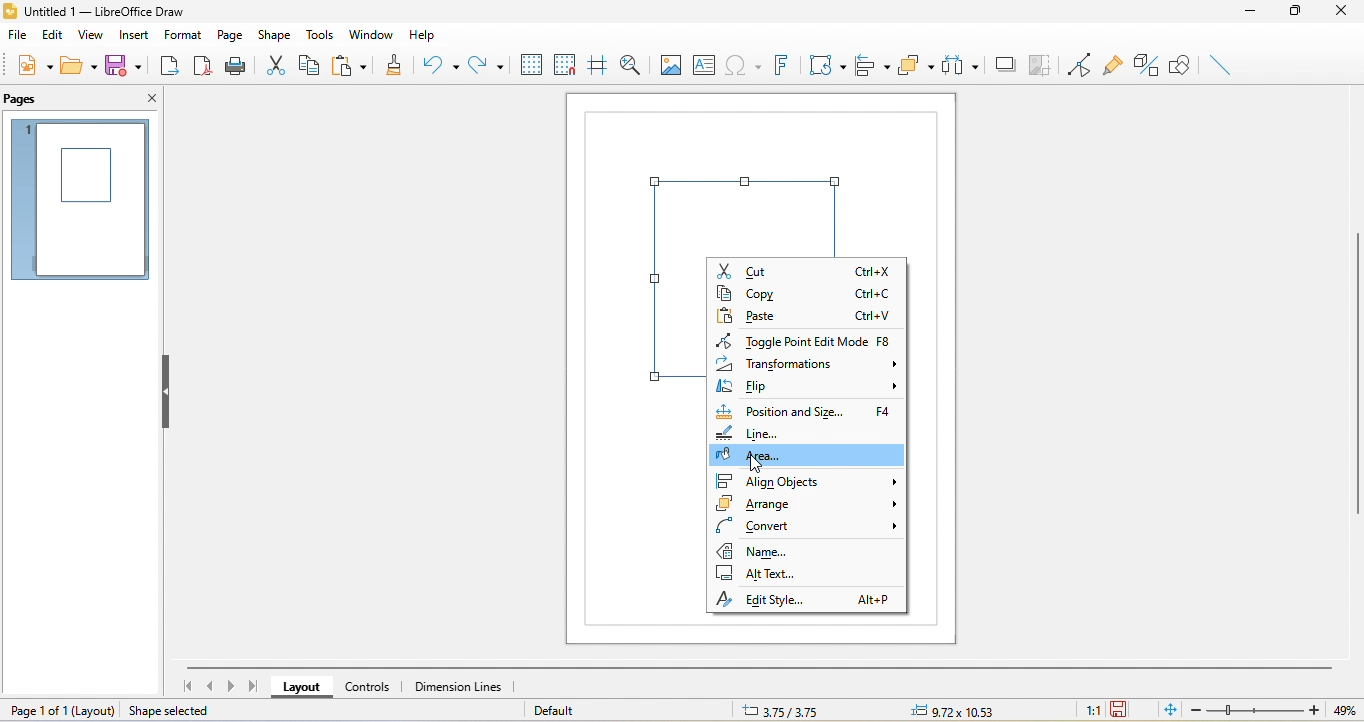 The image size is (1364, 722). Describe the element at coordinates (805, 270) in the screenshot. I see `cut` at that location.